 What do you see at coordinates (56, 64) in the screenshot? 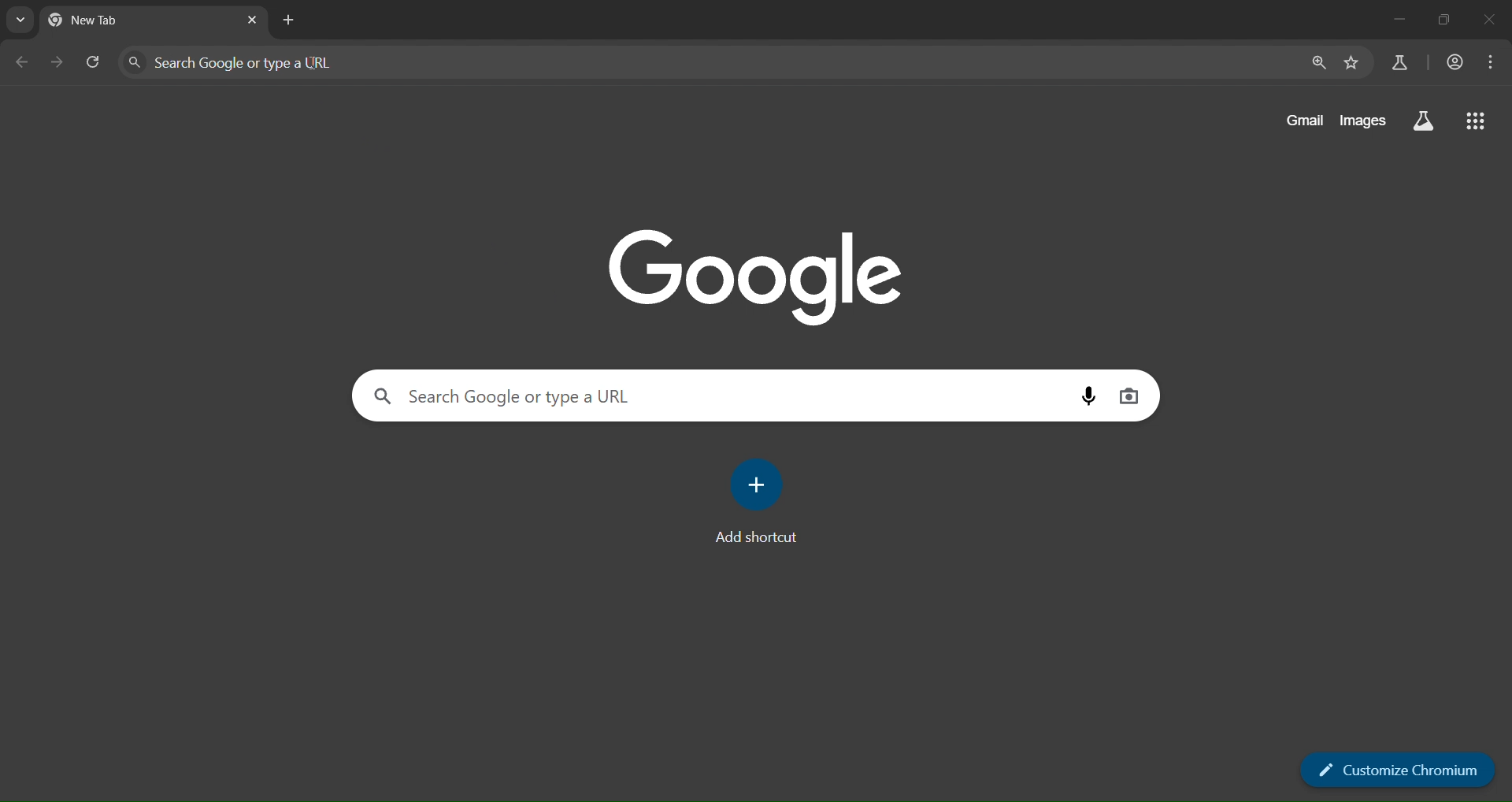
I see `go forward one page` at bounding box center [56, 64].